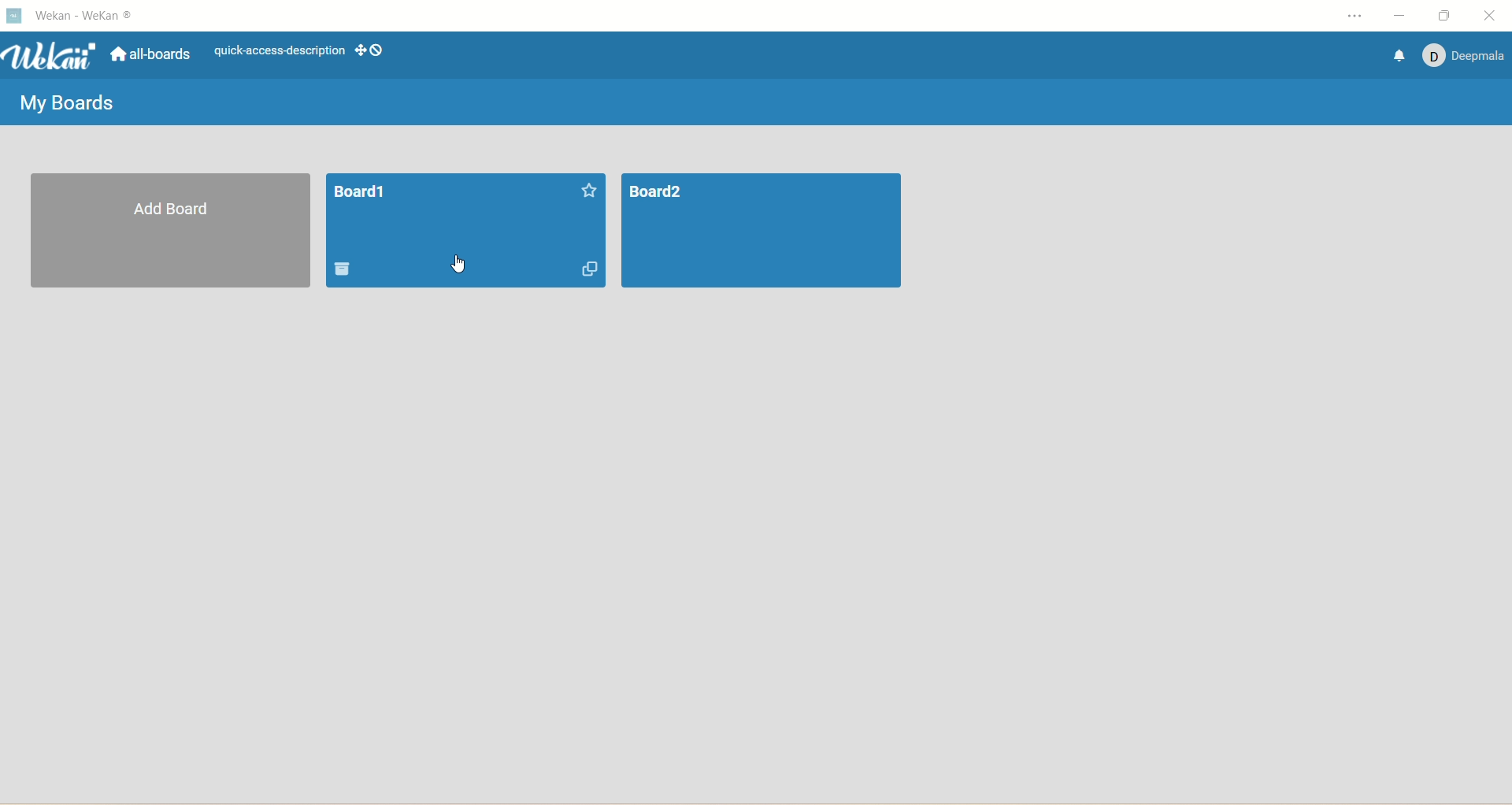 This screenshot has height=805, width=1512. I want to click on add board, so click(172, 232).